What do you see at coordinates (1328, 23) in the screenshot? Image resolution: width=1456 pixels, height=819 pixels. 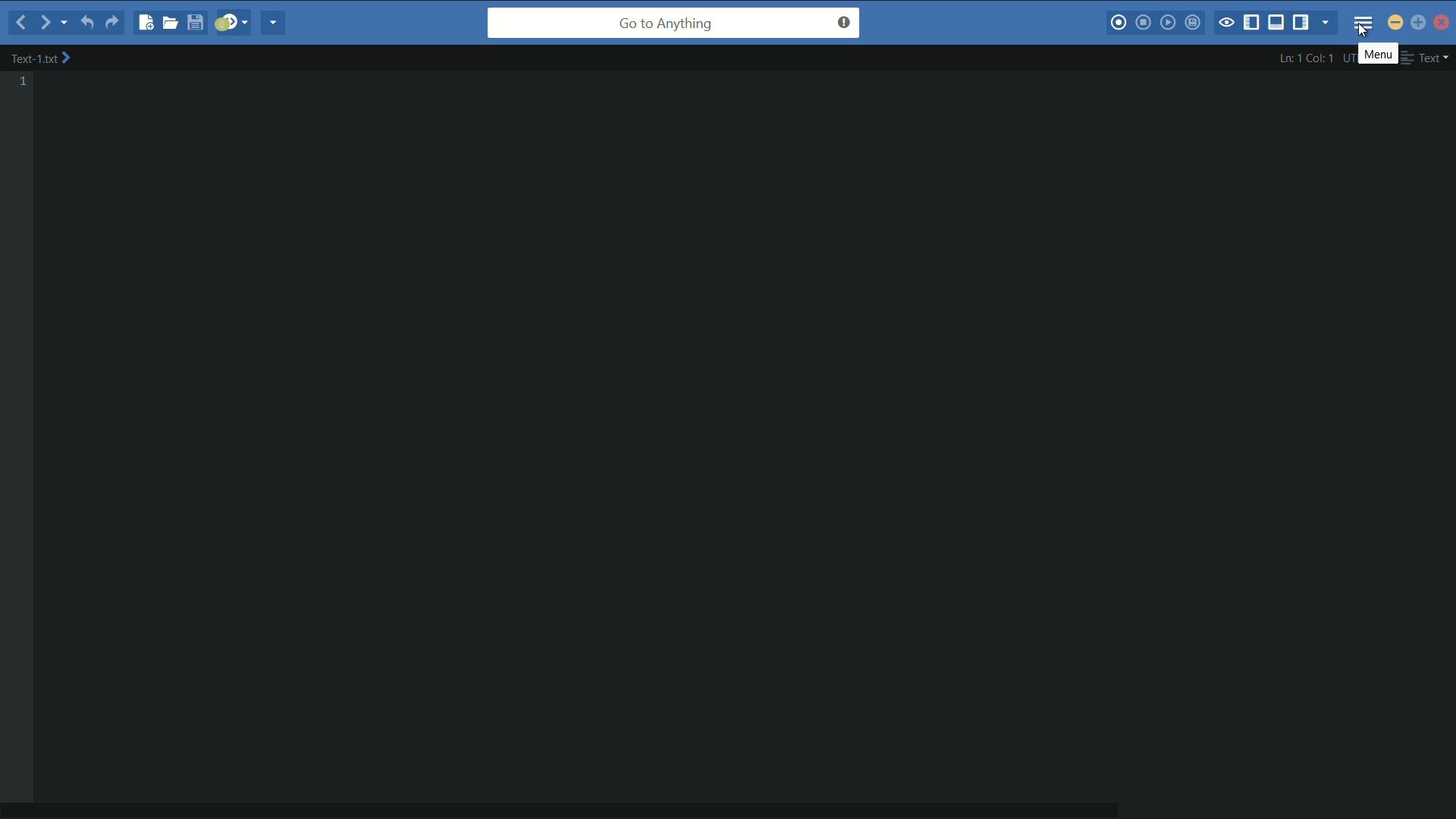 I see `show specific tab/sidebar` at bounding box center [1328, 23].